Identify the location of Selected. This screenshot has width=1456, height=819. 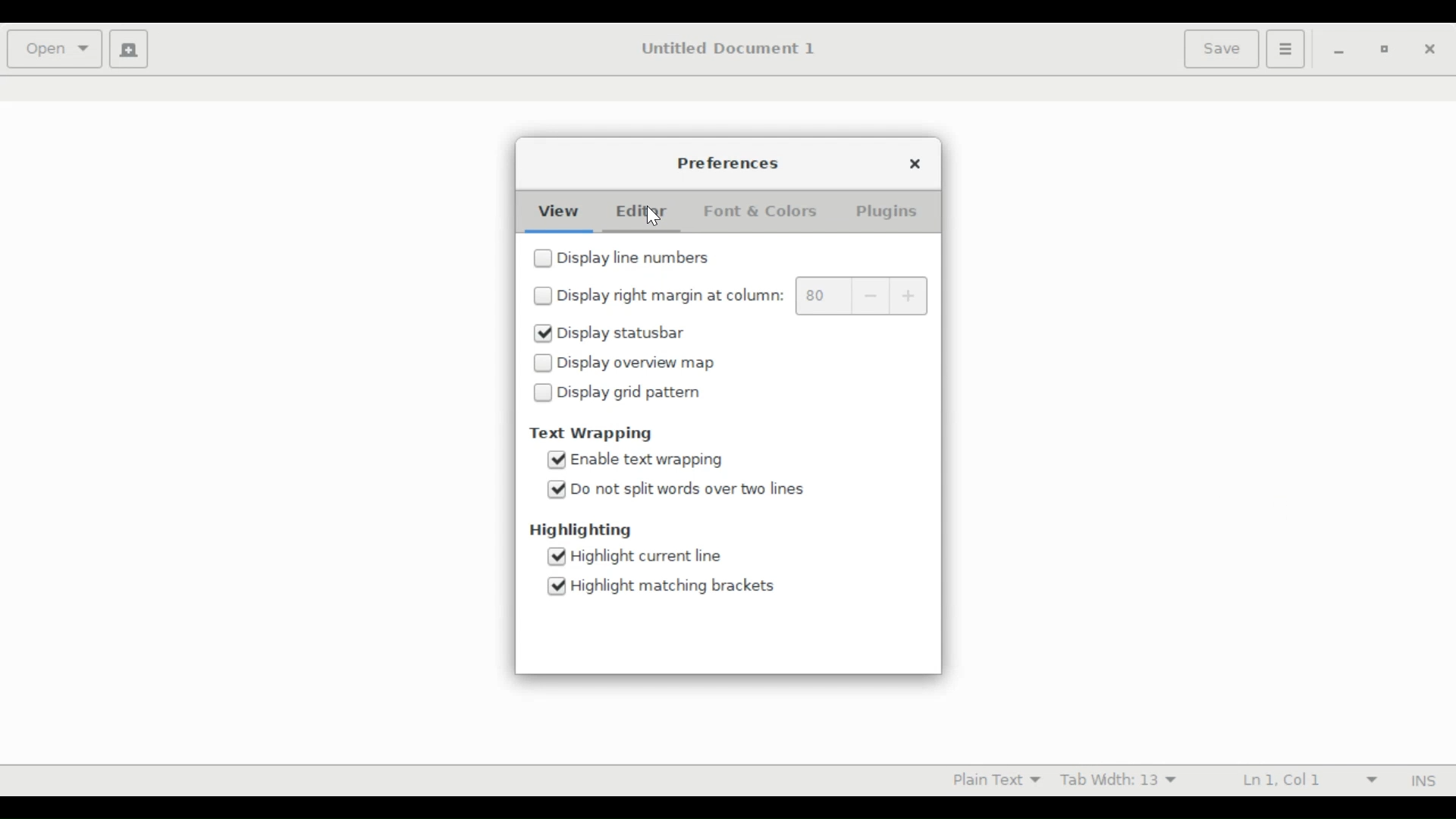
(557, 489).